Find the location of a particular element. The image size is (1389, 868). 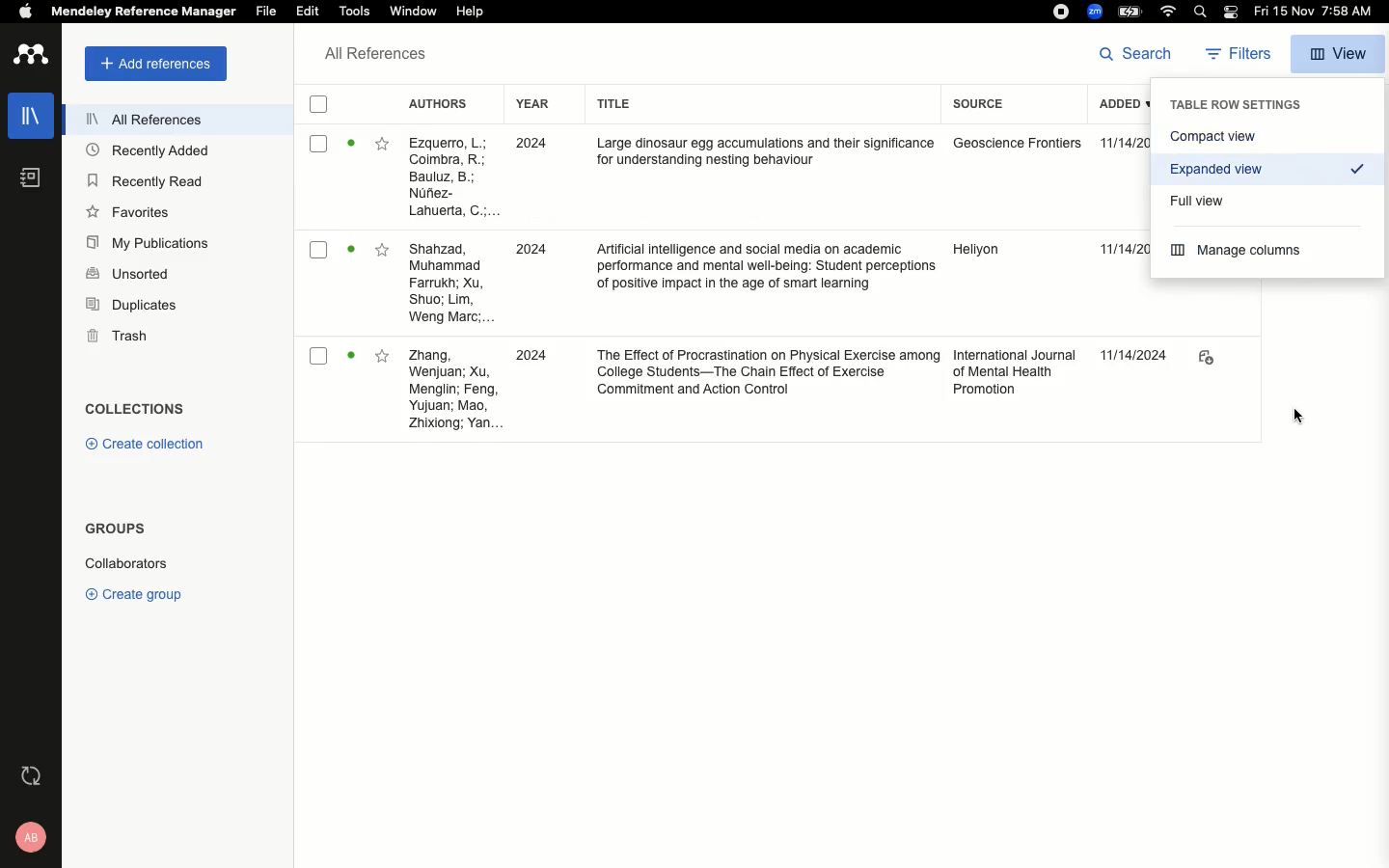

My publications is located at coordinates (145, 241).